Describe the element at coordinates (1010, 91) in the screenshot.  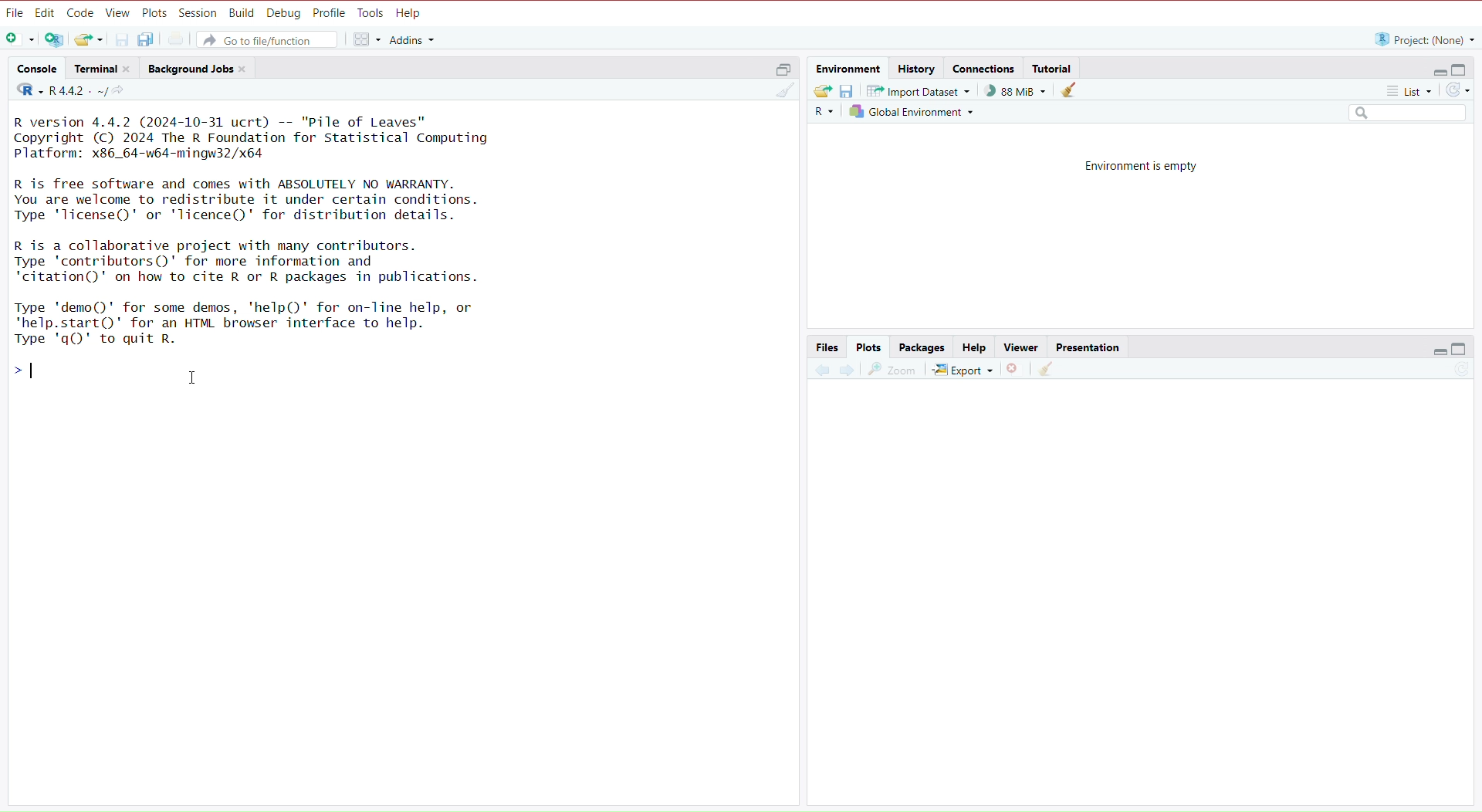
I see `) 88 MiB ~` at that location.